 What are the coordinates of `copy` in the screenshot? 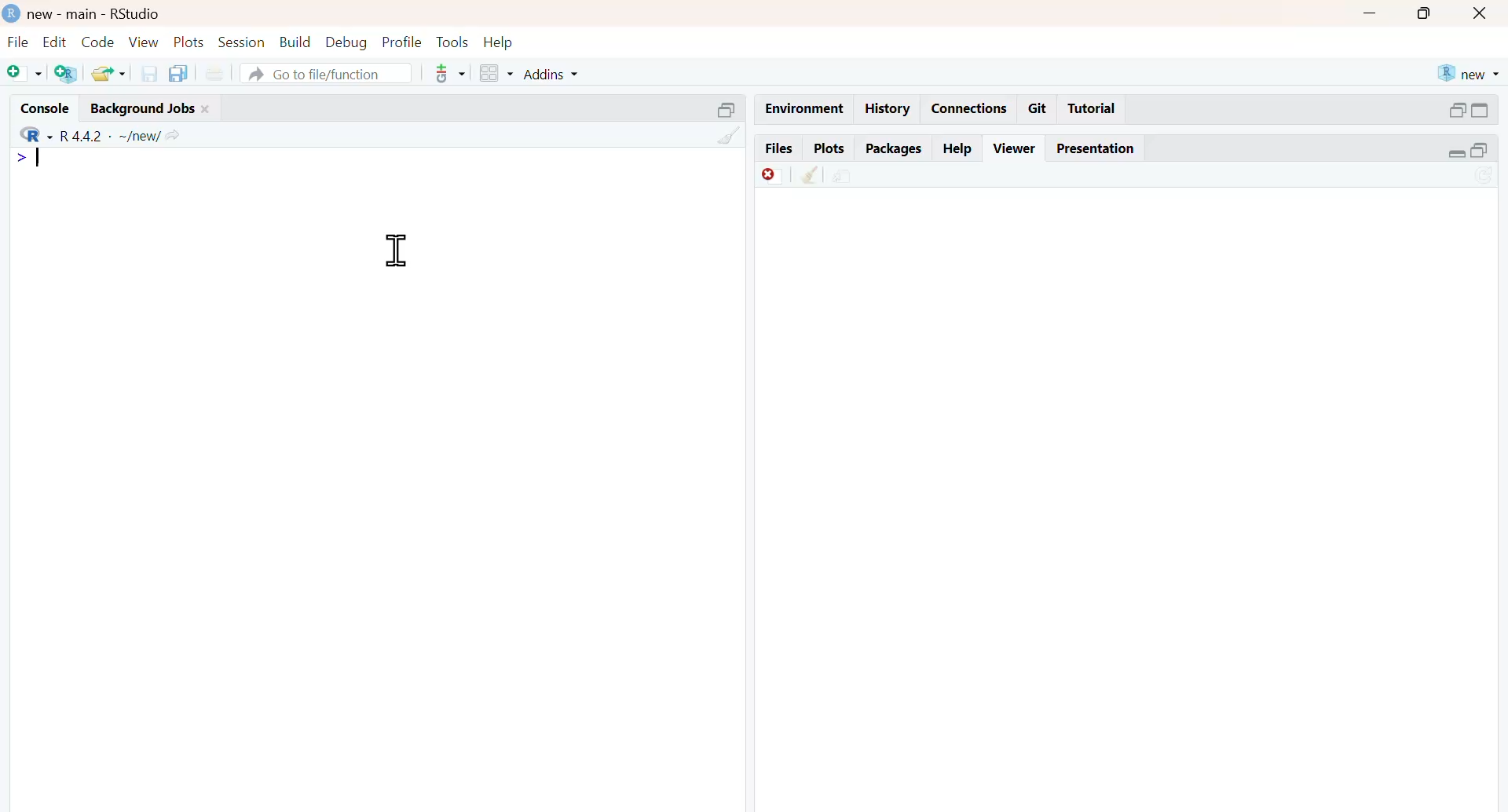 It's located at (178, 73).